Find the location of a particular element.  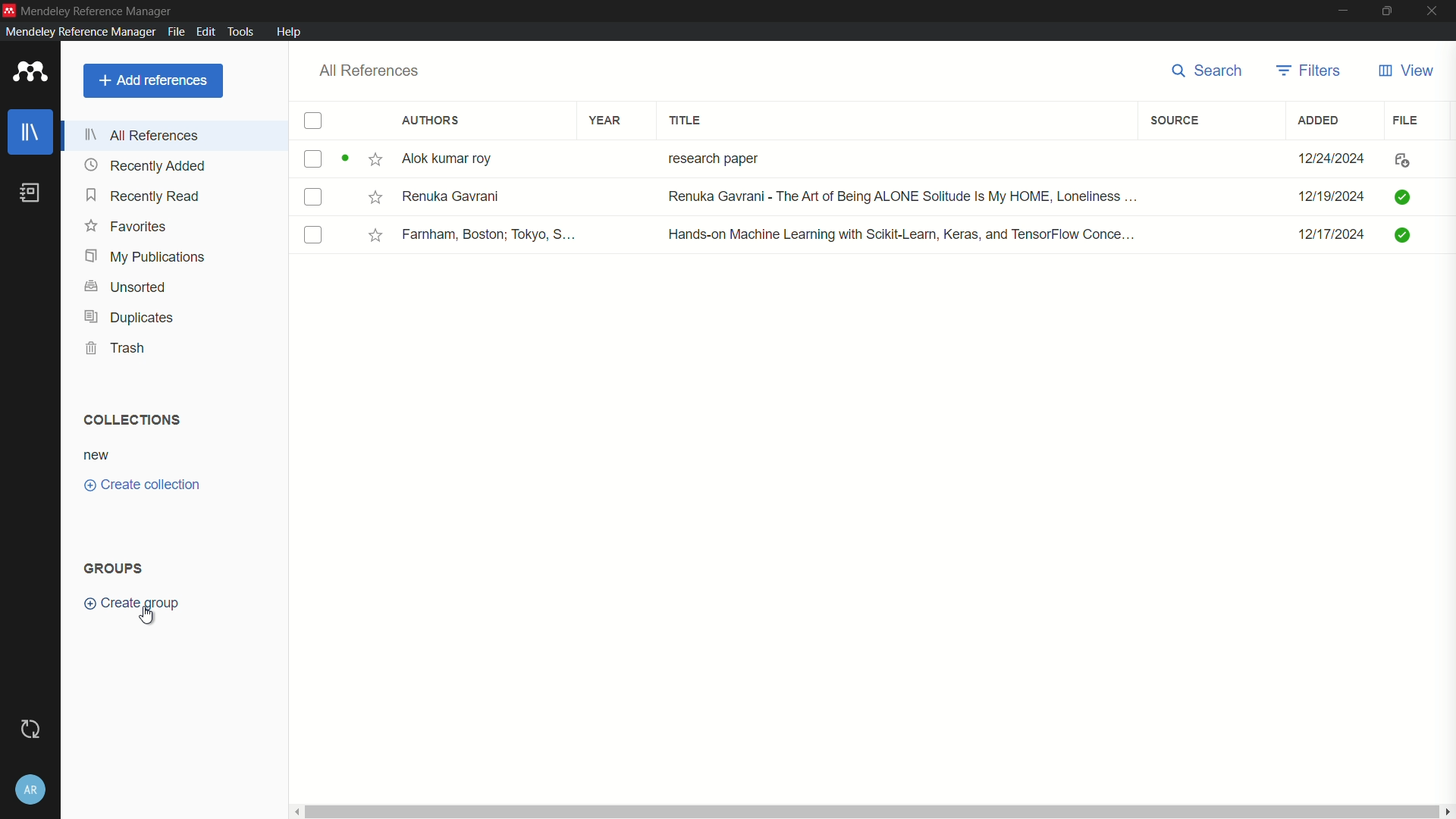

Renuka gavrani - The Artn of... is located at coordinates (897, 198).